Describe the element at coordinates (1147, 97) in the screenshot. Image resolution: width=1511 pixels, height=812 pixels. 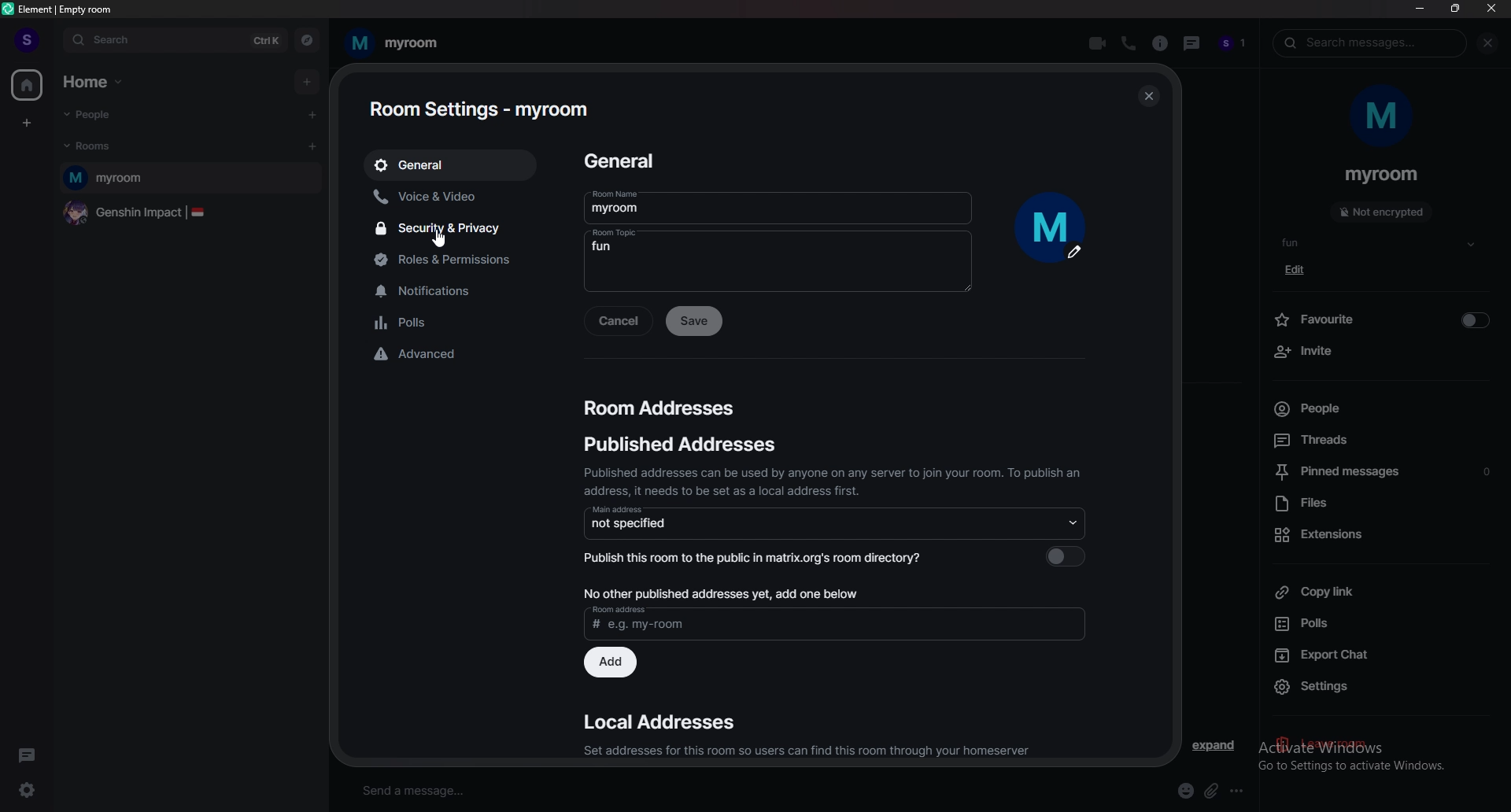
I see `close` at that location.